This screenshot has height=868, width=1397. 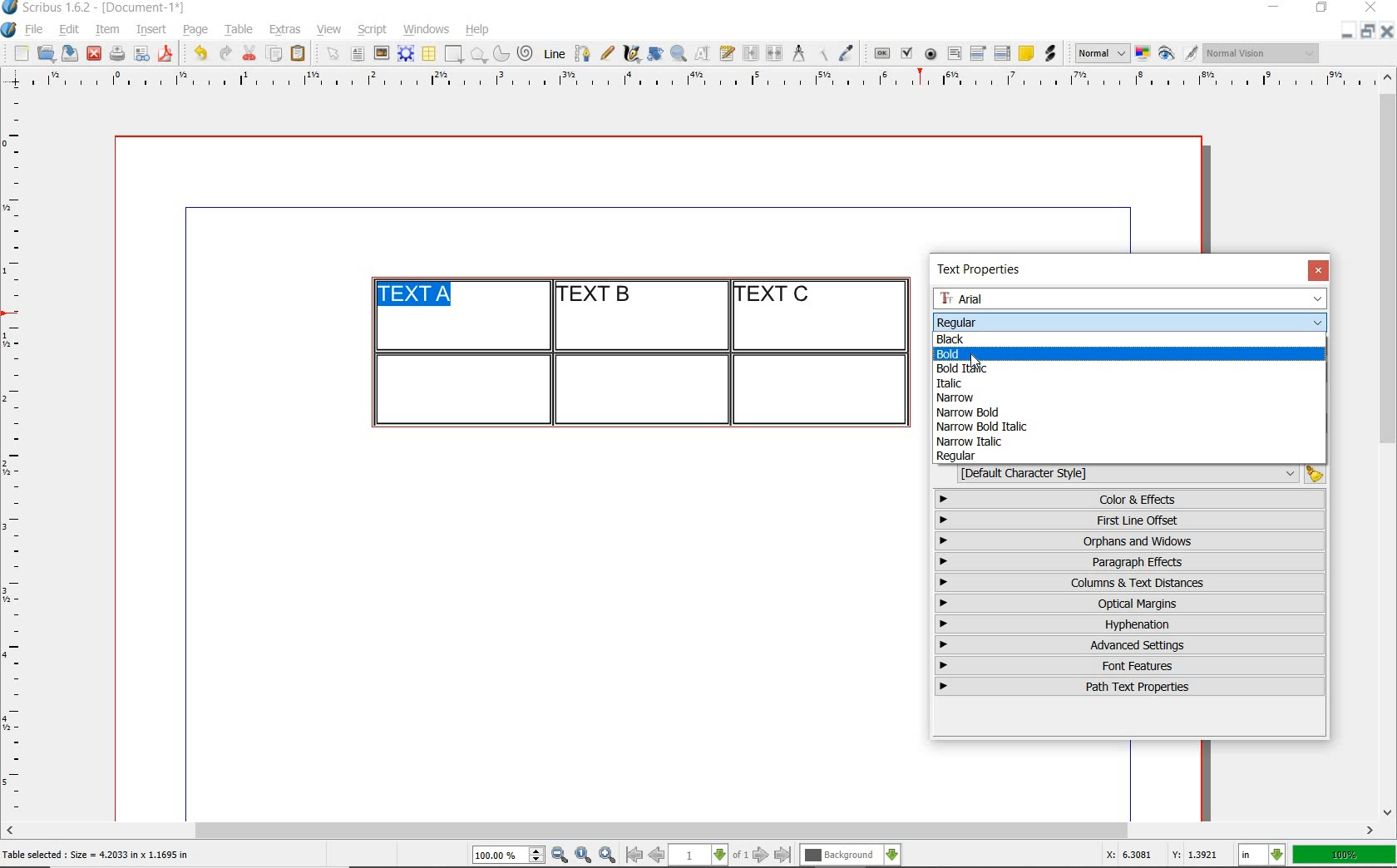 What do you see at coordinates (584, 856) in the screenshot?
I see `zoom to` at bounding box center [584, 856].